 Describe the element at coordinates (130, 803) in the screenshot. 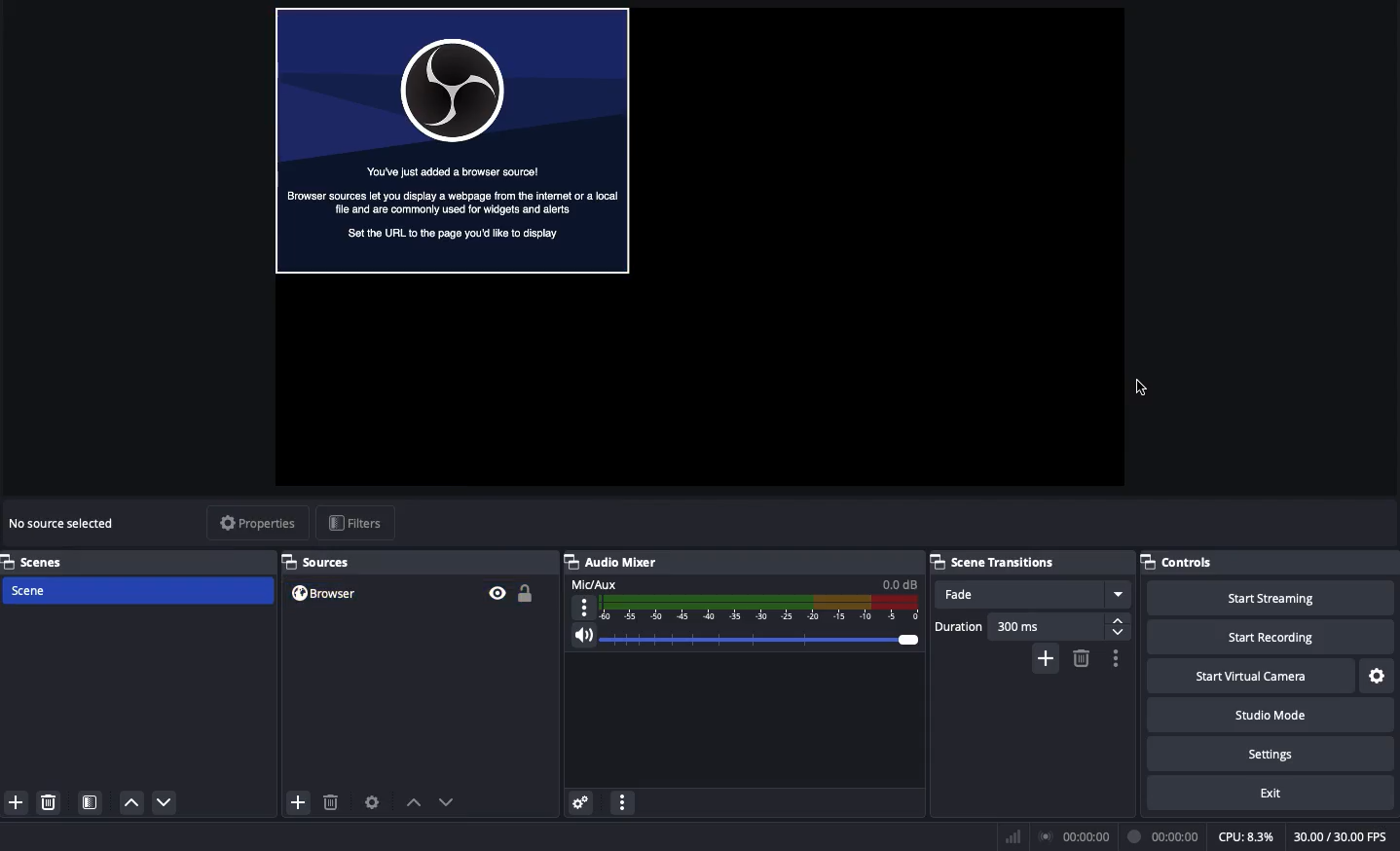

I see `move up` at that location.